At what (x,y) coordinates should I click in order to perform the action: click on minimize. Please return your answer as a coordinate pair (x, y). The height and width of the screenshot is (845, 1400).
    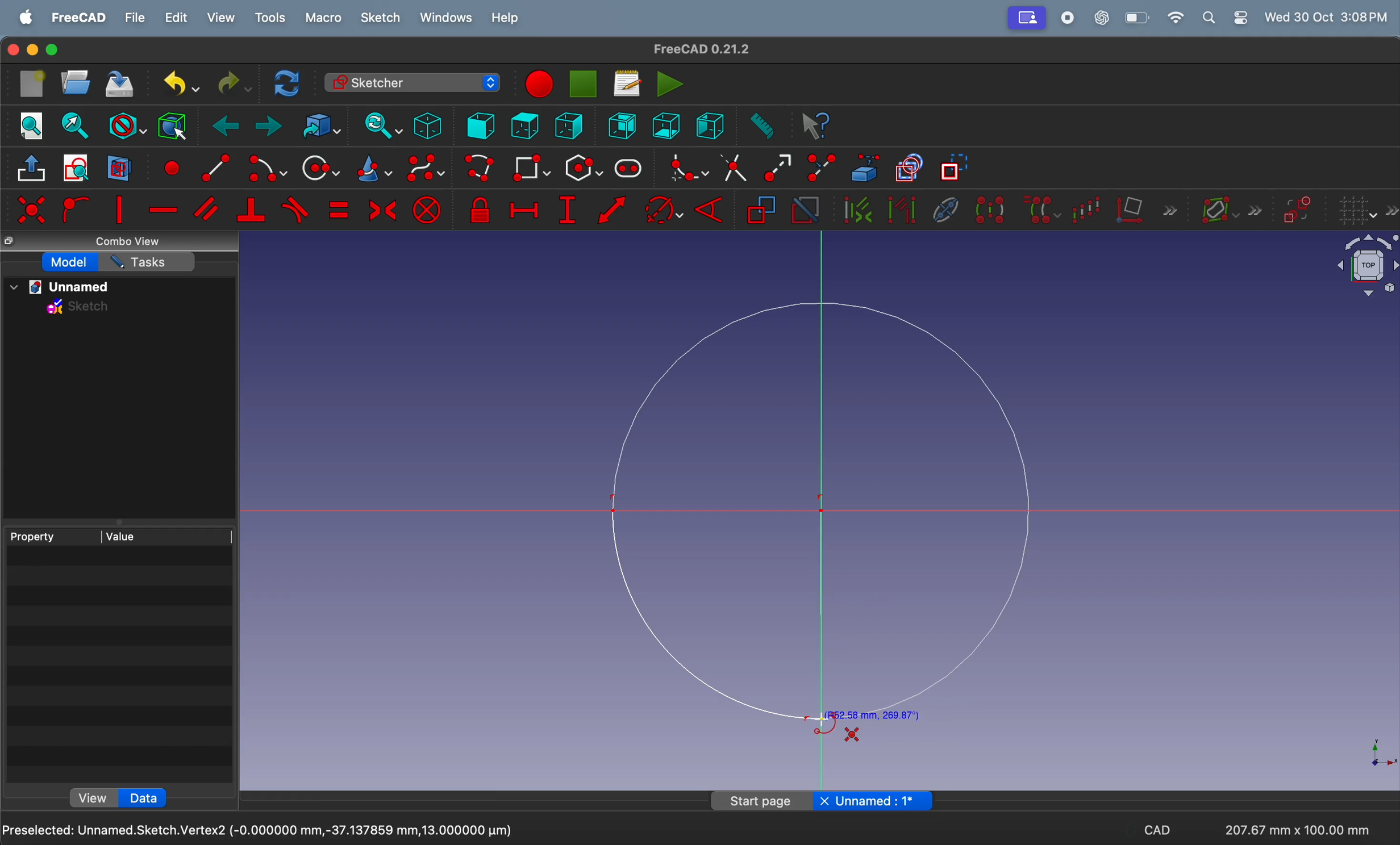
    Looking at the image, I should click on (34, 50).